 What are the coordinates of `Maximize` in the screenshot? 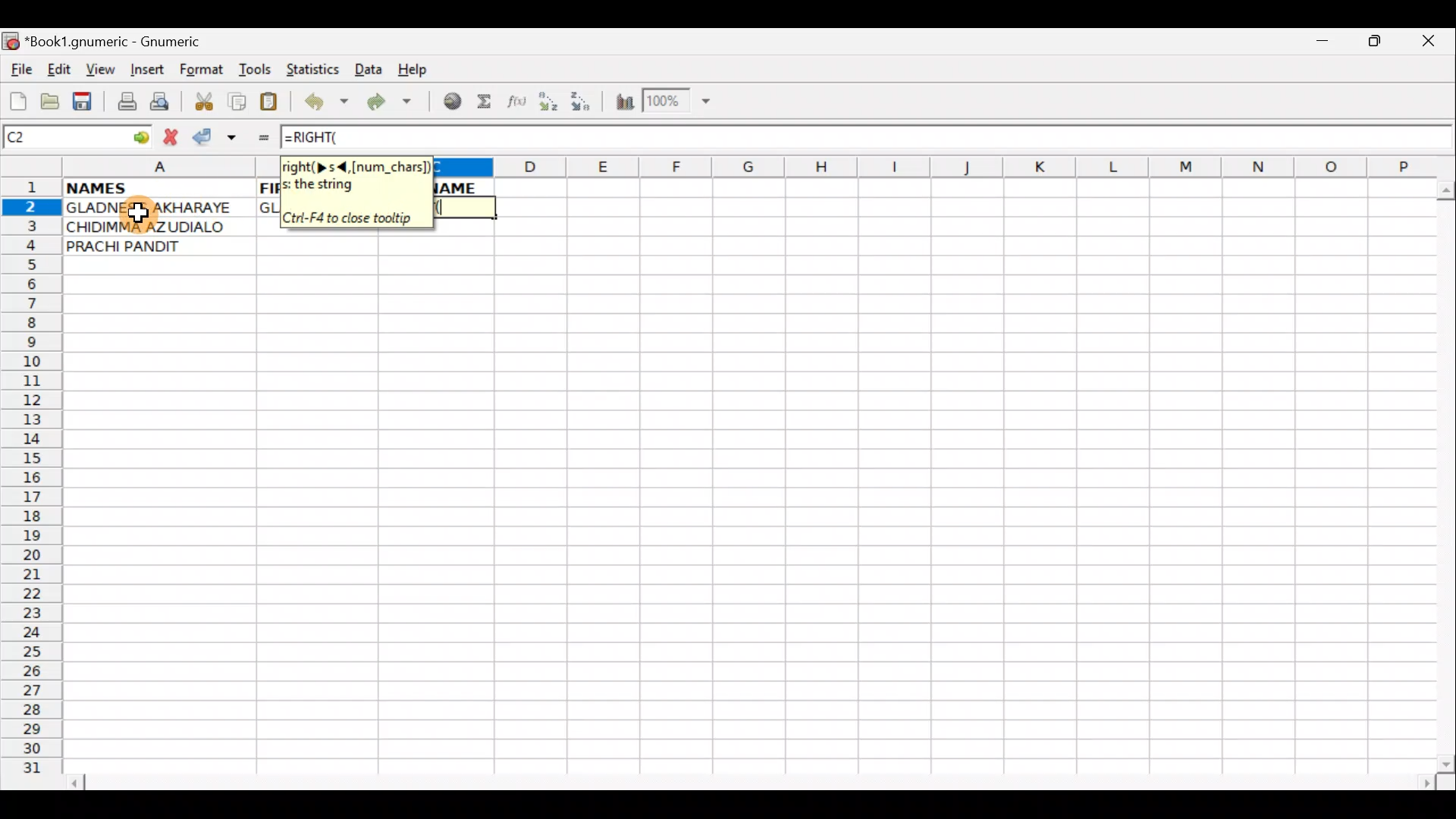 It's located at (1377, 44).